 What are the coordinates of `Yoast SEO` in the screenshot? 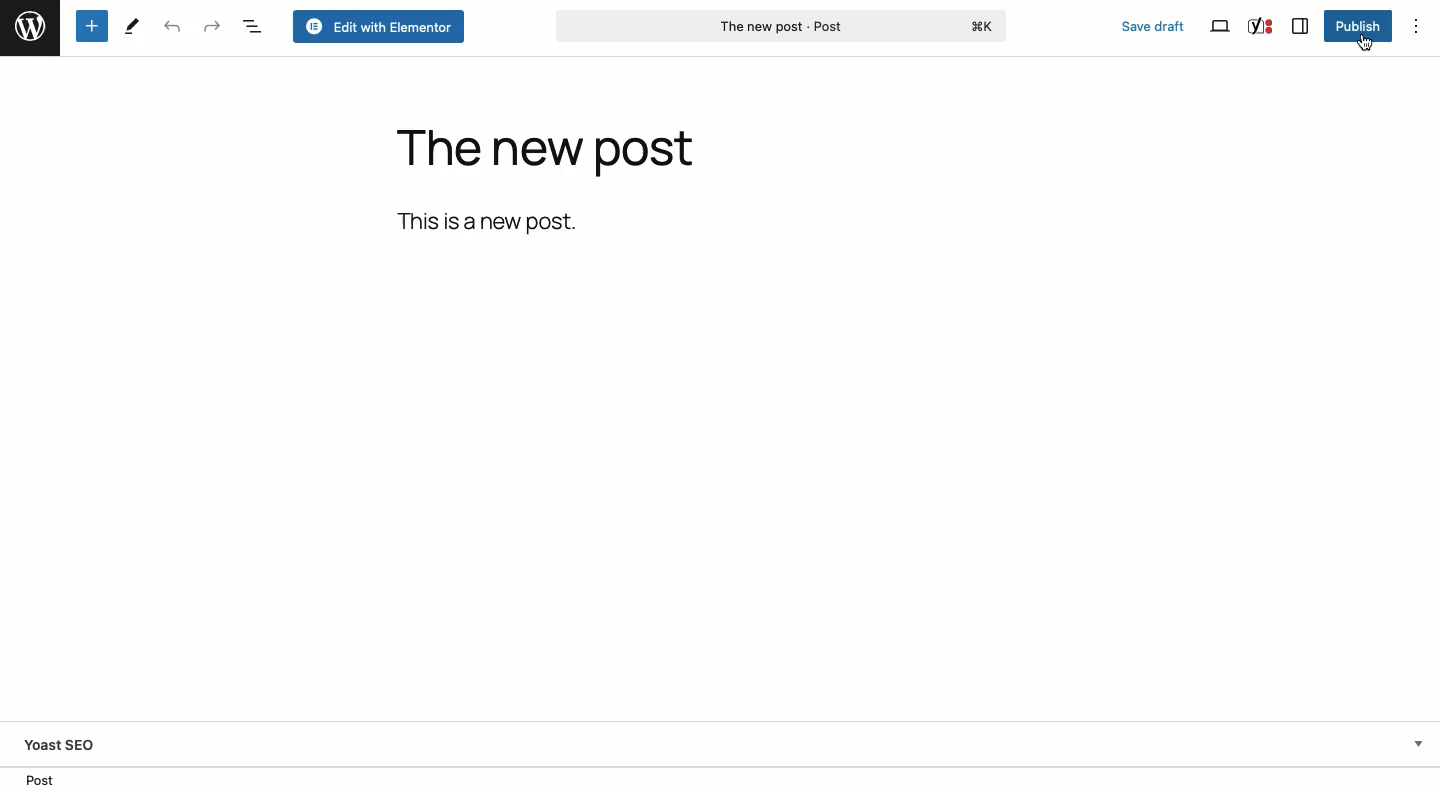 It's located at (1259, 25).